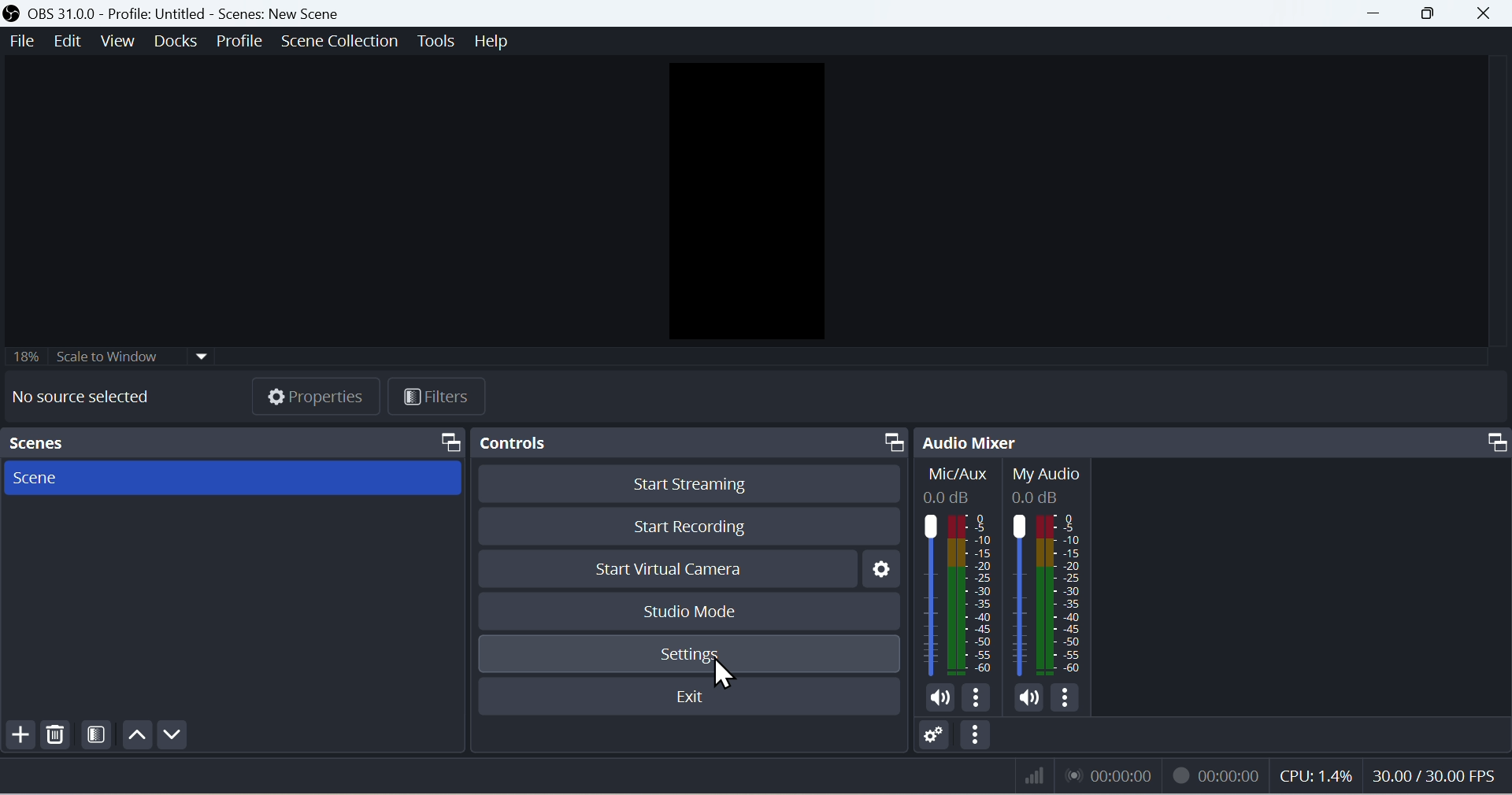  Describe the element at coordinates (1047, 474) in the screenshot. I see `MyAudio` at that location.